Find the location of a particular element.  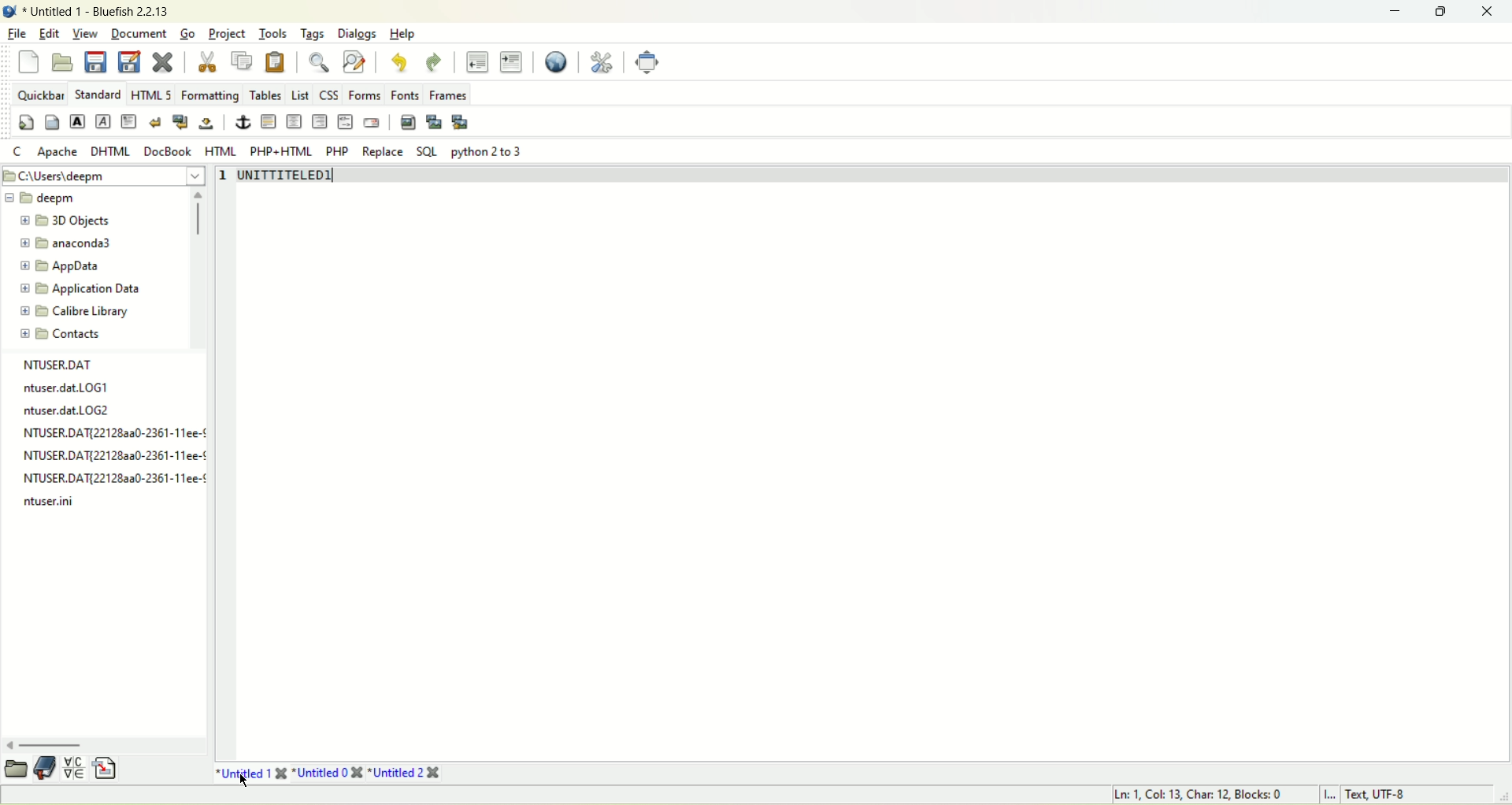

PHP+HTML is located at coordinates (279, 150).